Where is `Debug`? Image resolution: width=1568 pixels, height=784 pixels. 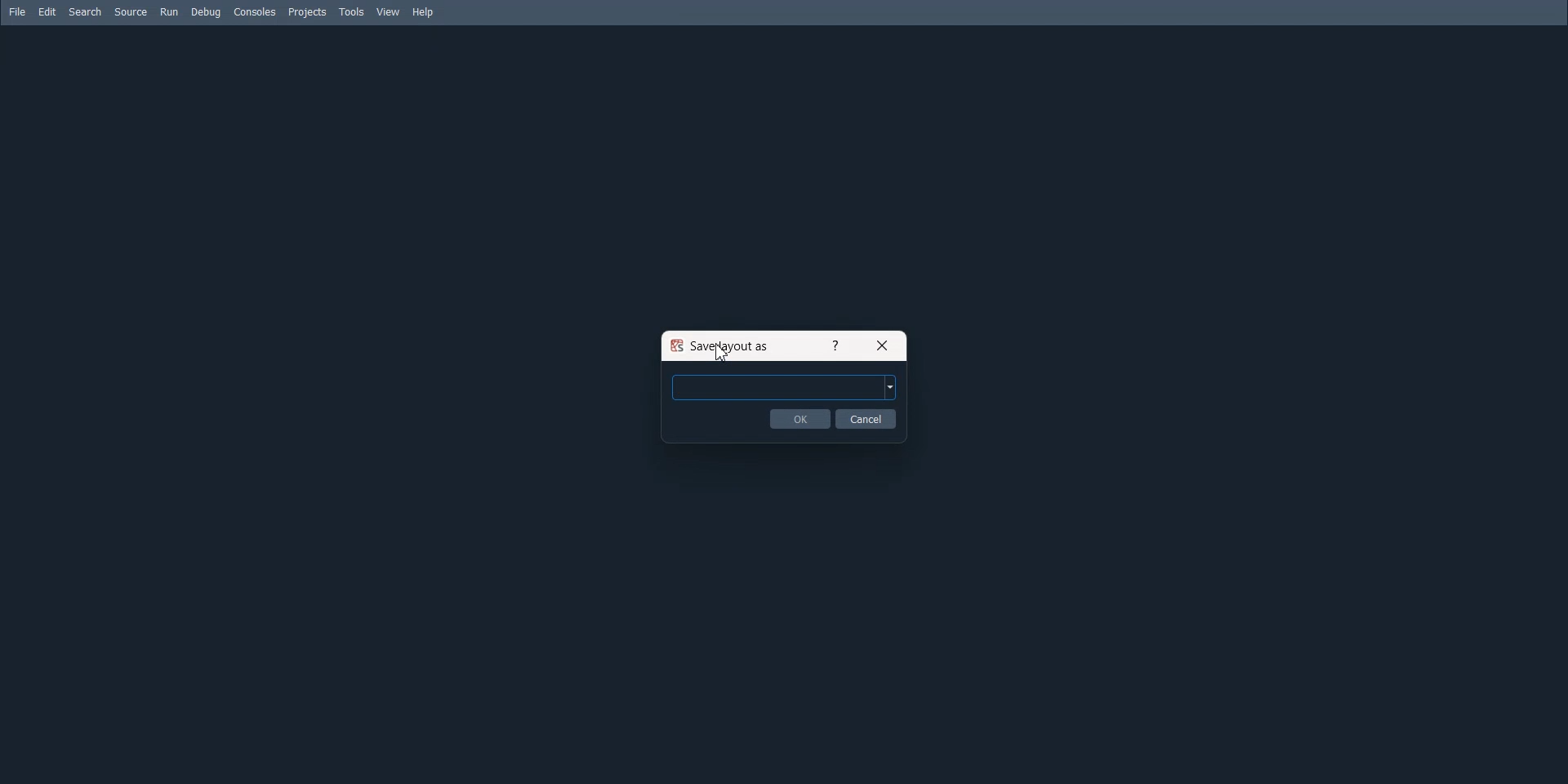
Debug is located at coordinates (206, 12).